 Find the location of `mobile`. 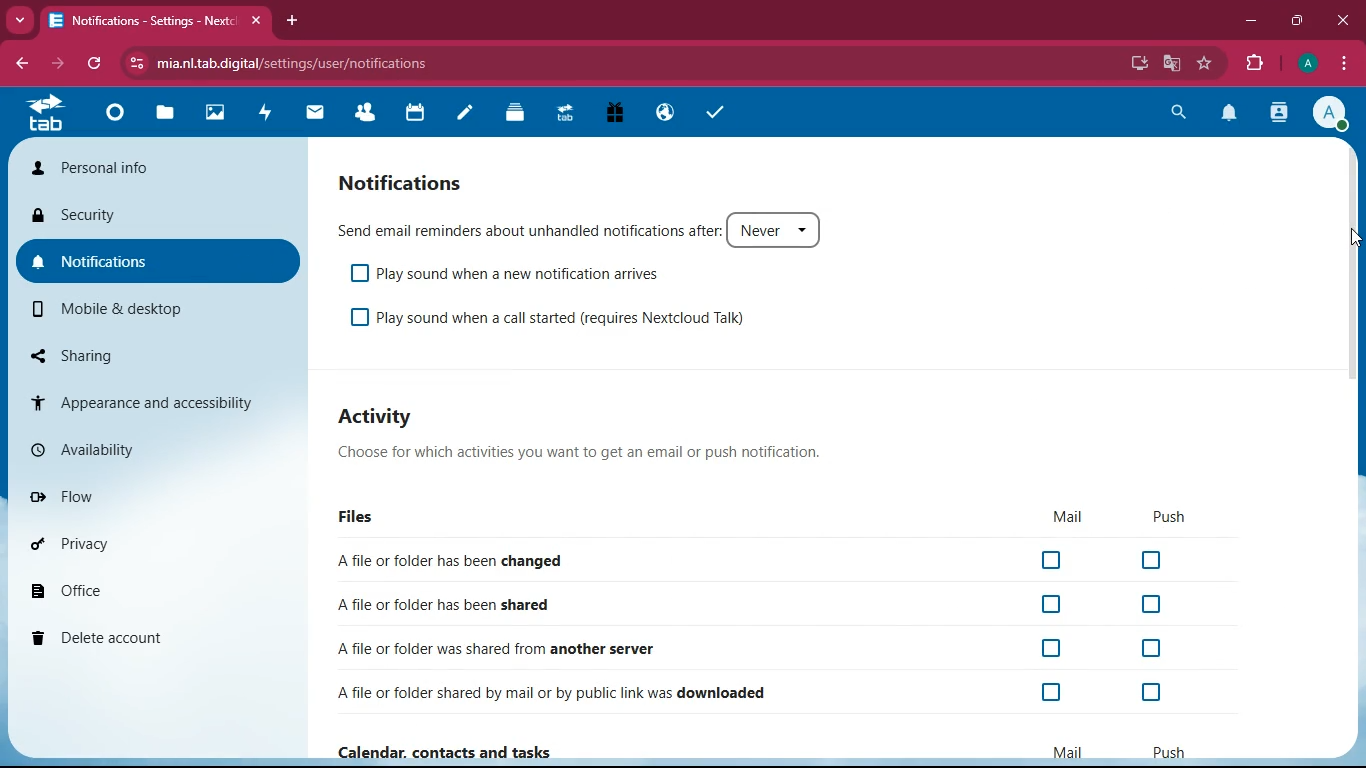

mobile is located at coordinates (157, 312).